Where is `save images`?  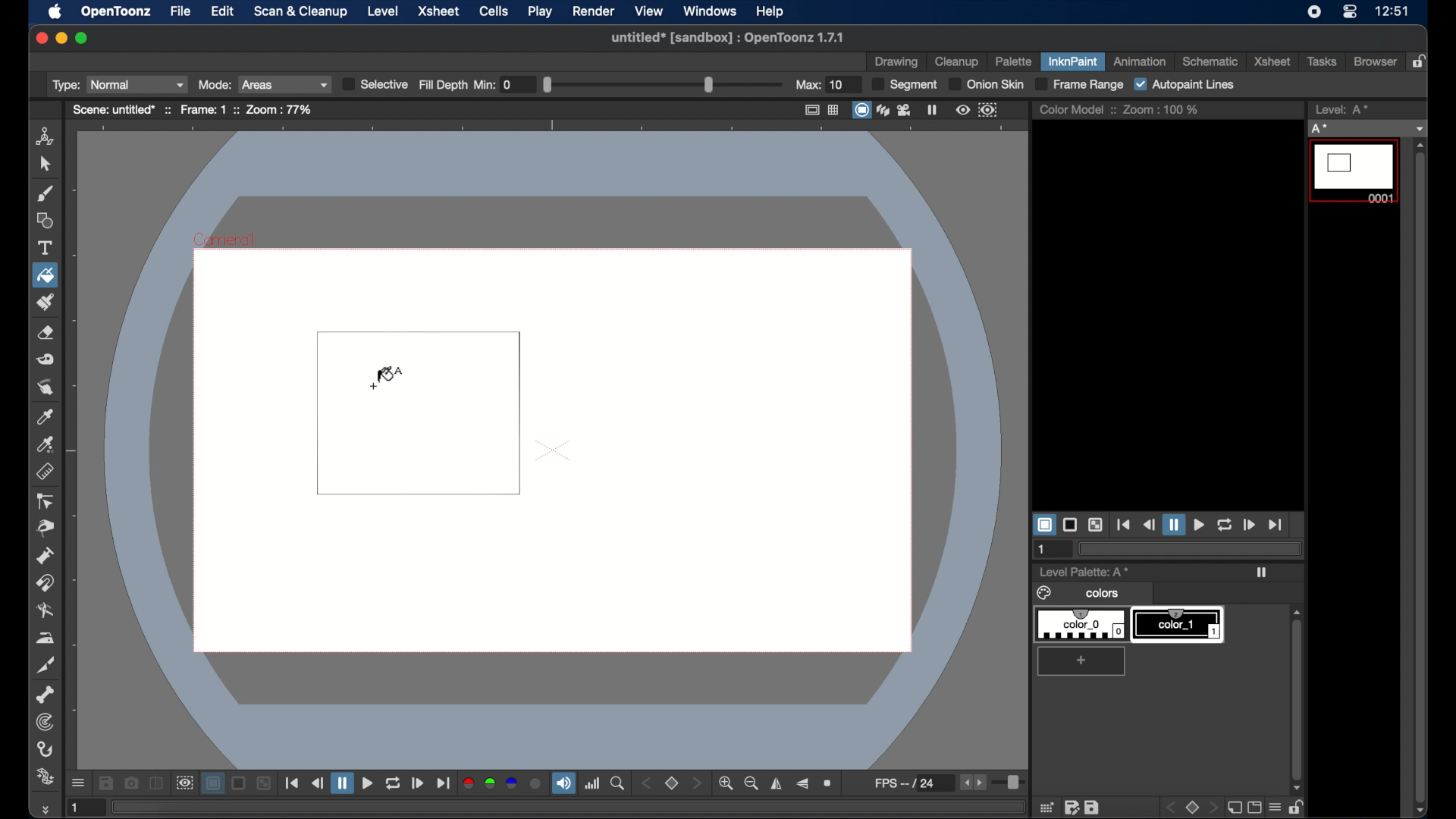
save images is located at coordinates (105, 783).